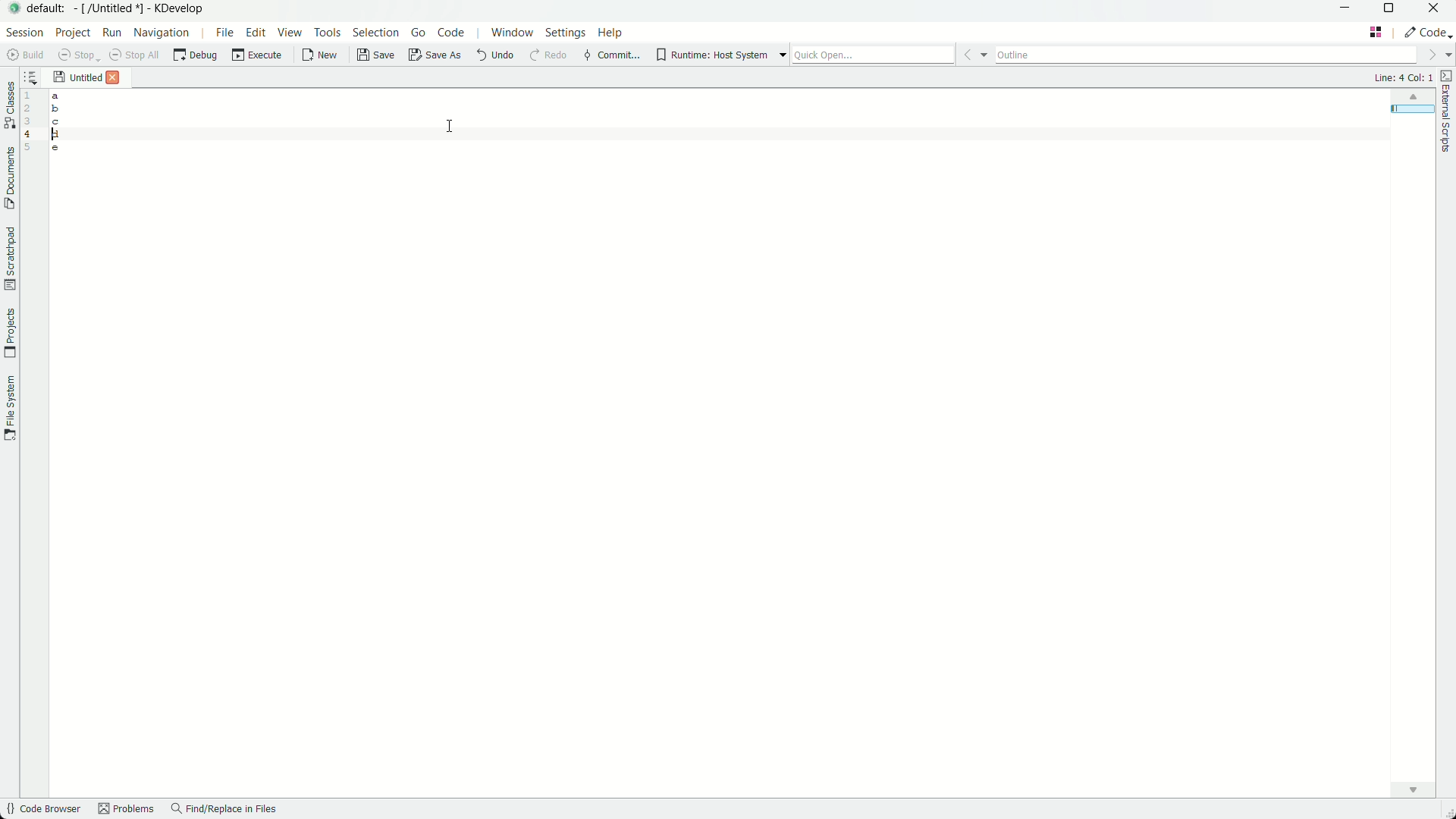  I want to click on app icon, so click(15, 11).